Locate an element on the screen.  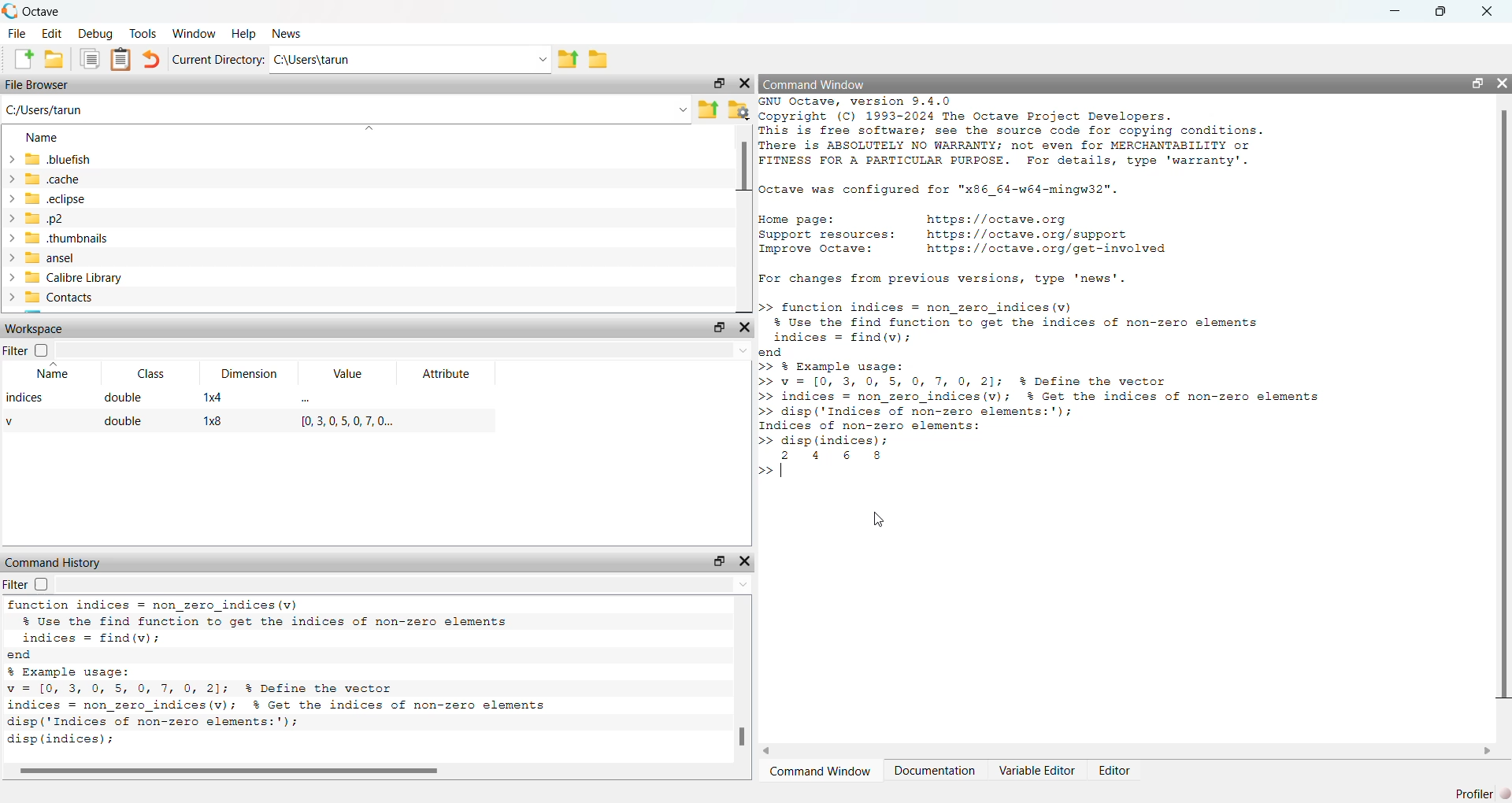
Editor is located at coordinates (1114, 772).